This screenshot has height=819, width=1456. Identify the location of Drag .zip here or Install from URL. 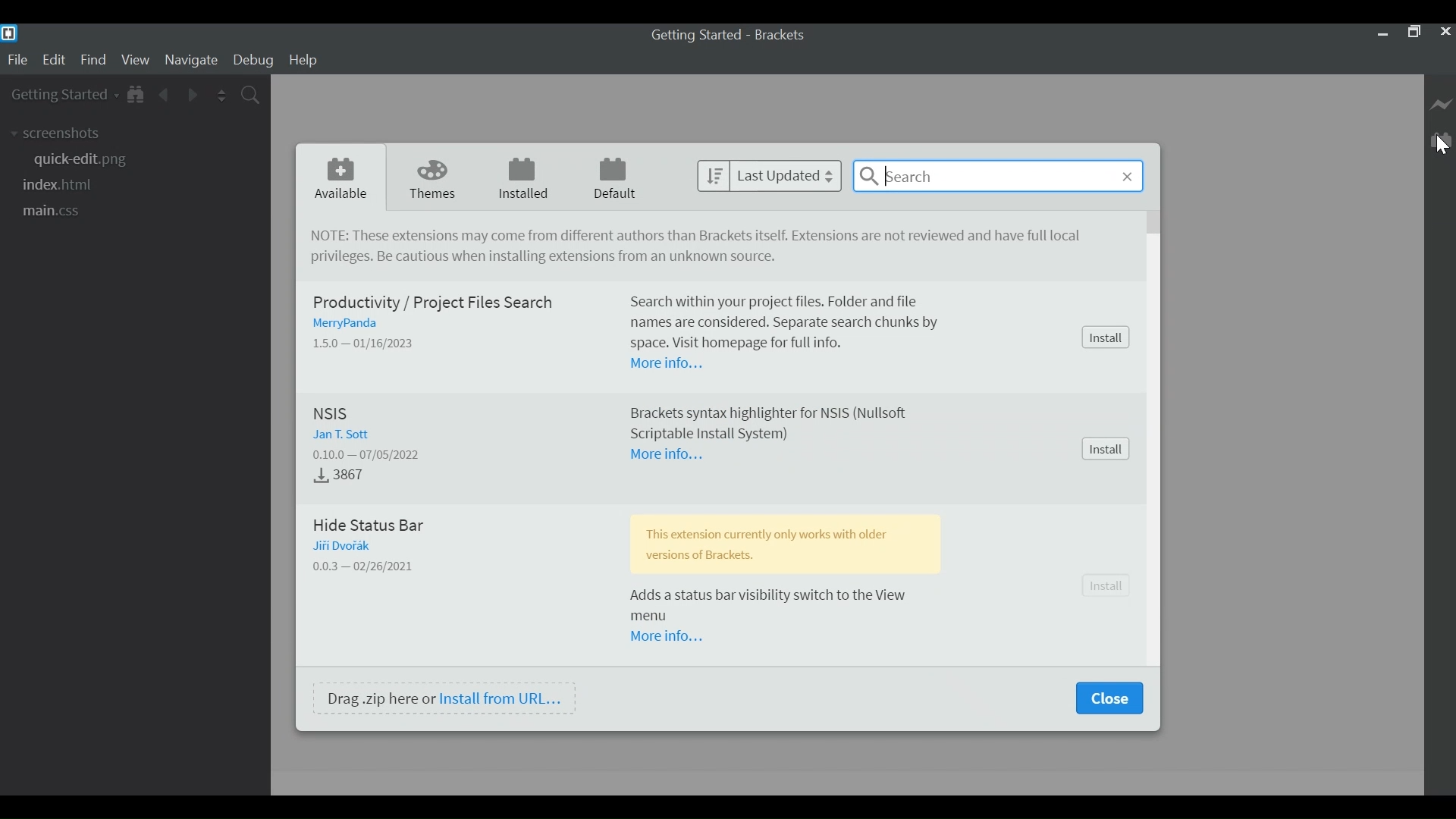
(445, 698).